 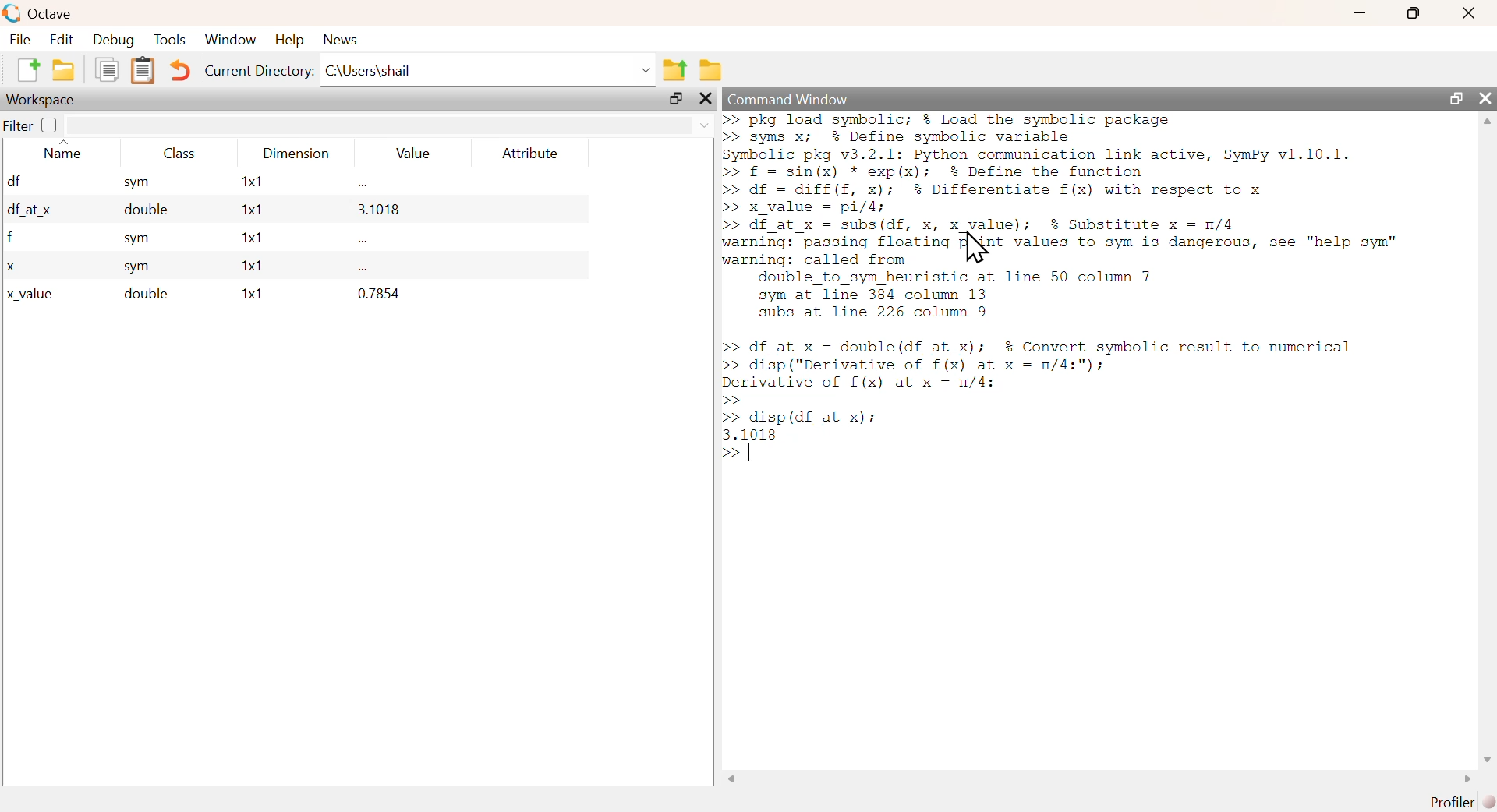 I want to click on Filter, so click(x=30, y=125).